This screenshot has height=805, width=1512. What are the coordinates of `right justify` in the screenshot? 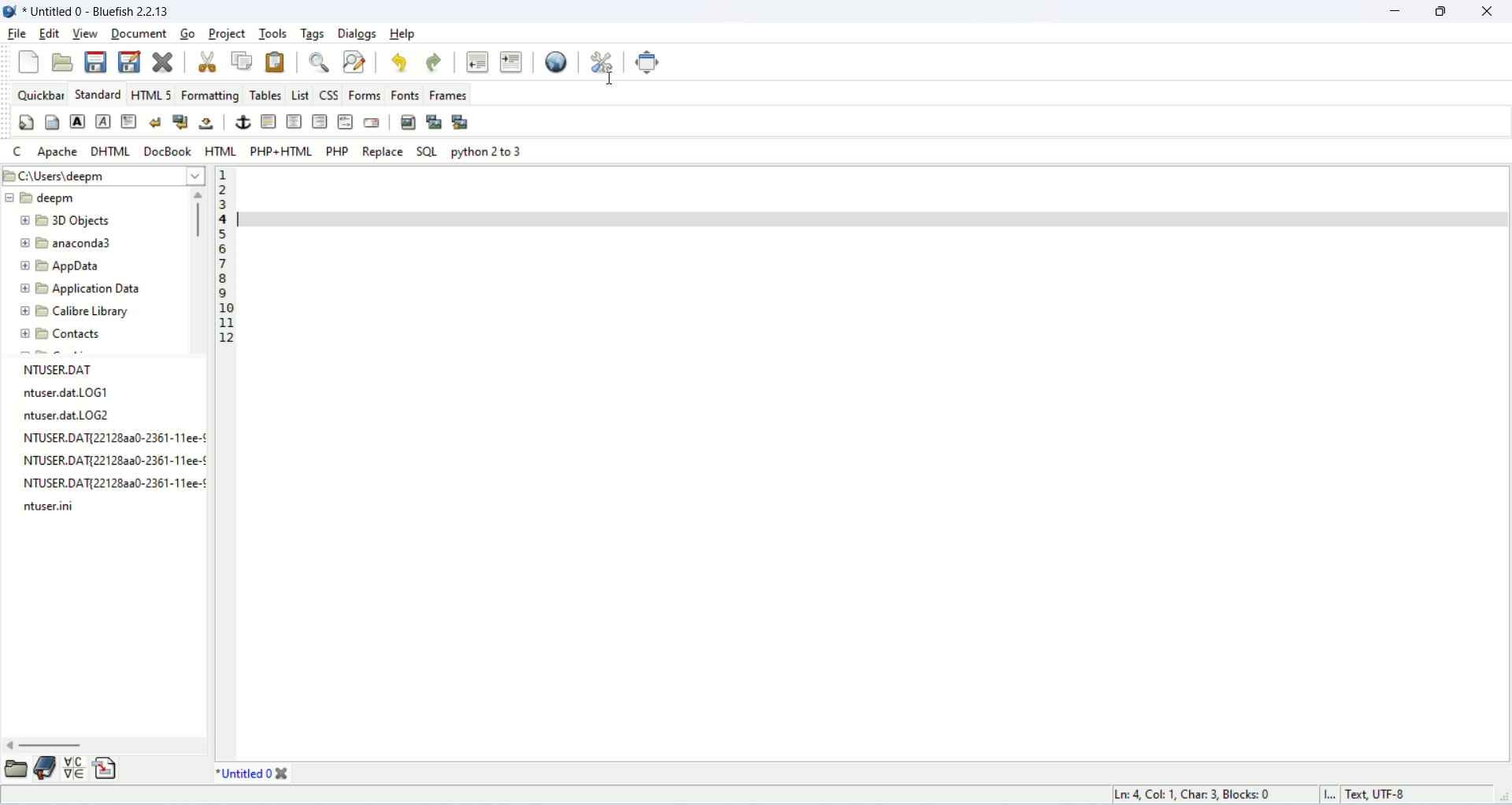 It's located at (321, 122).